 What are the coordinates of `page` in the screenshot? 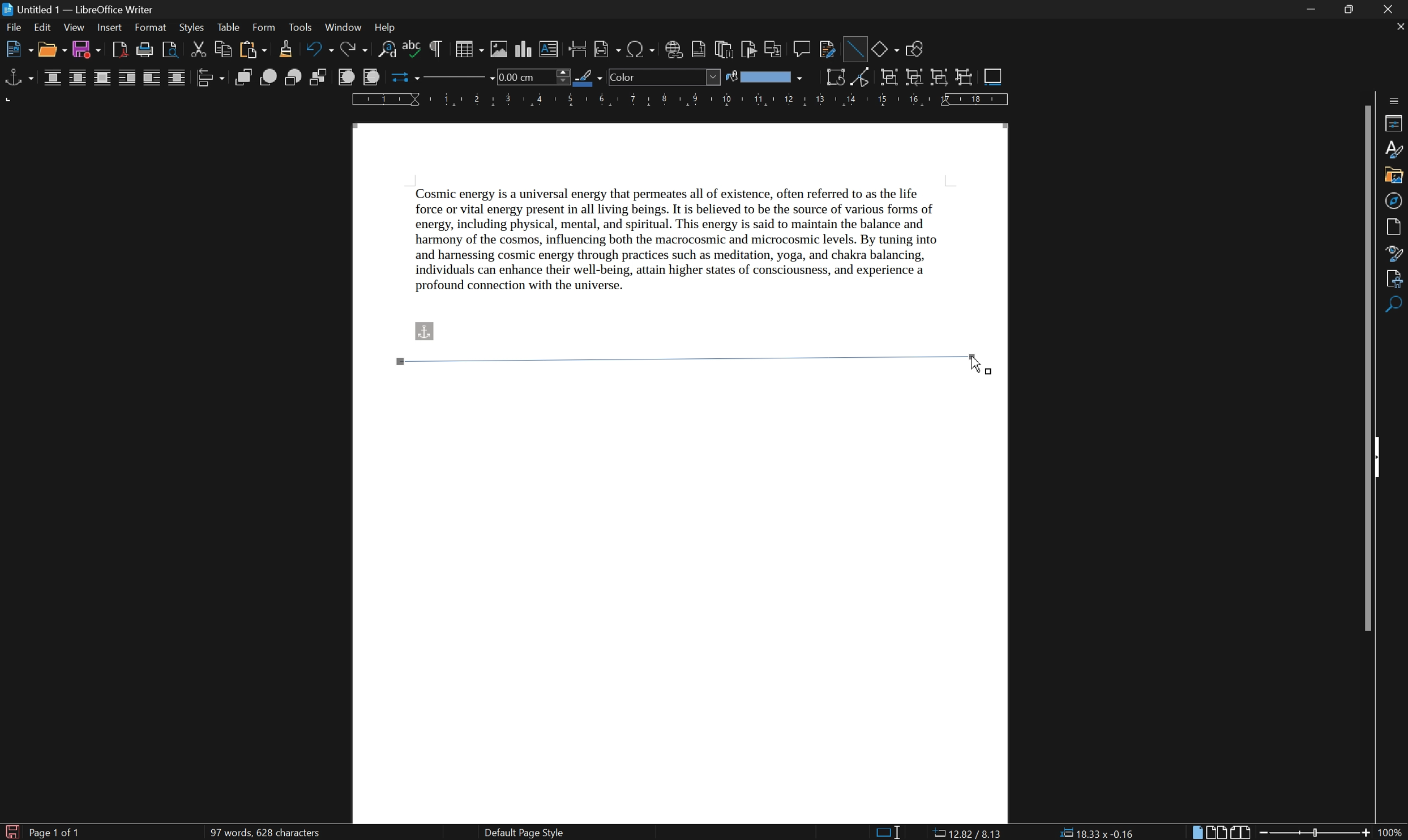 It's located at (1397, 226).